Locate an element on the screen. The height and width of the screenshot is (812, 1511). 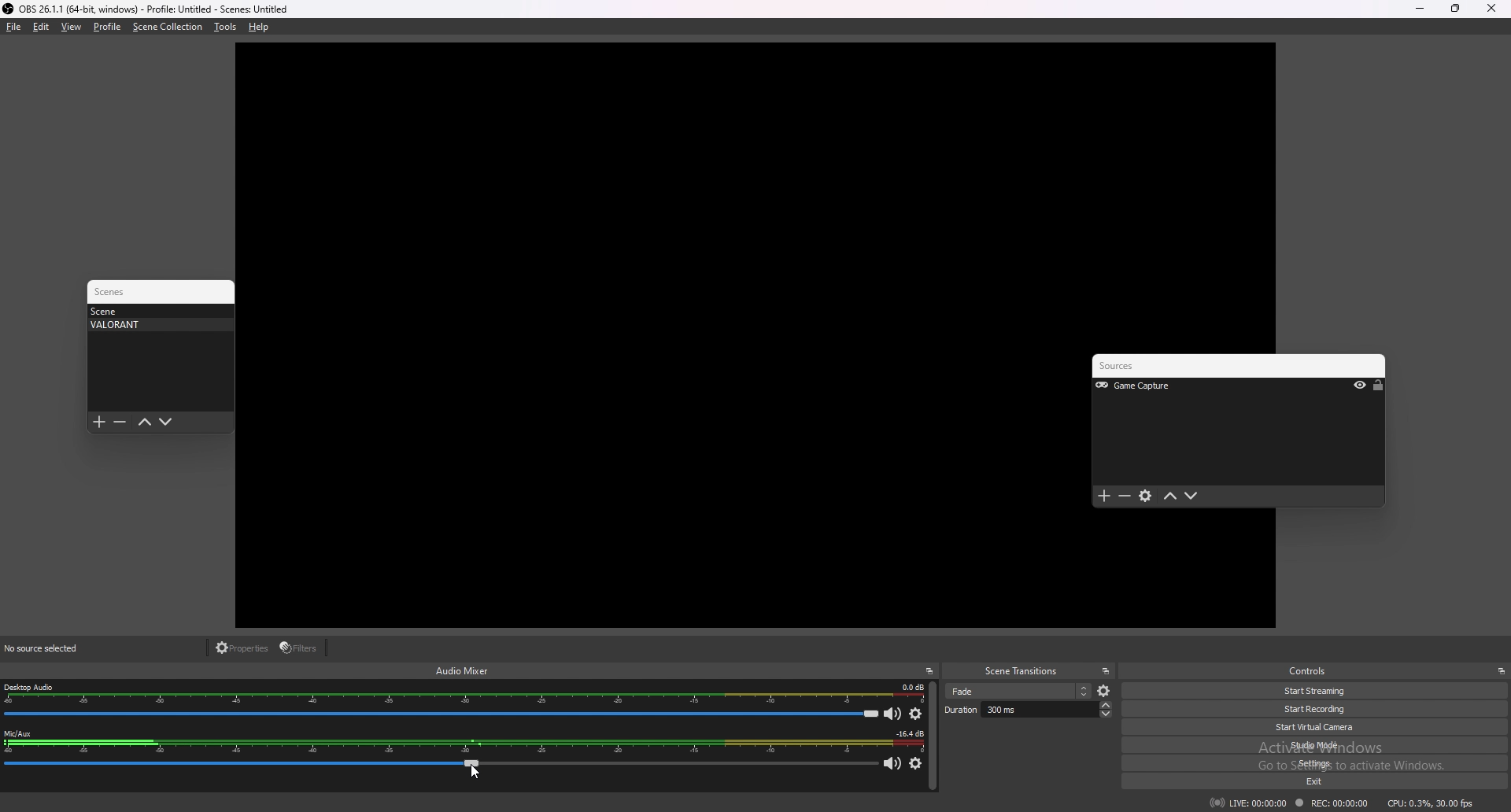
add is located at coordinates (1104, 496).